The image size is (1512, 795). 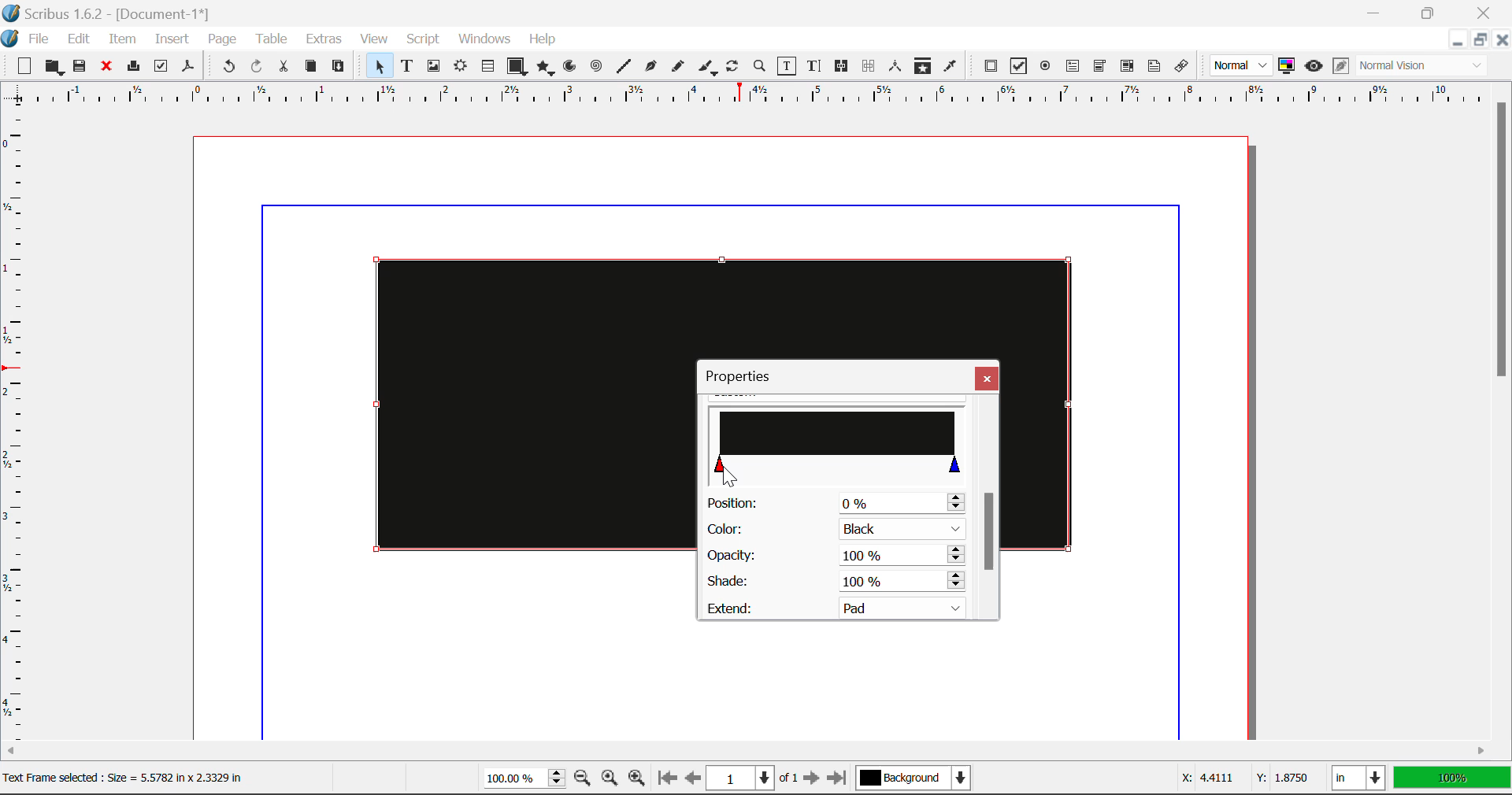 I want to click on Cut, so click(x=283, y=67).